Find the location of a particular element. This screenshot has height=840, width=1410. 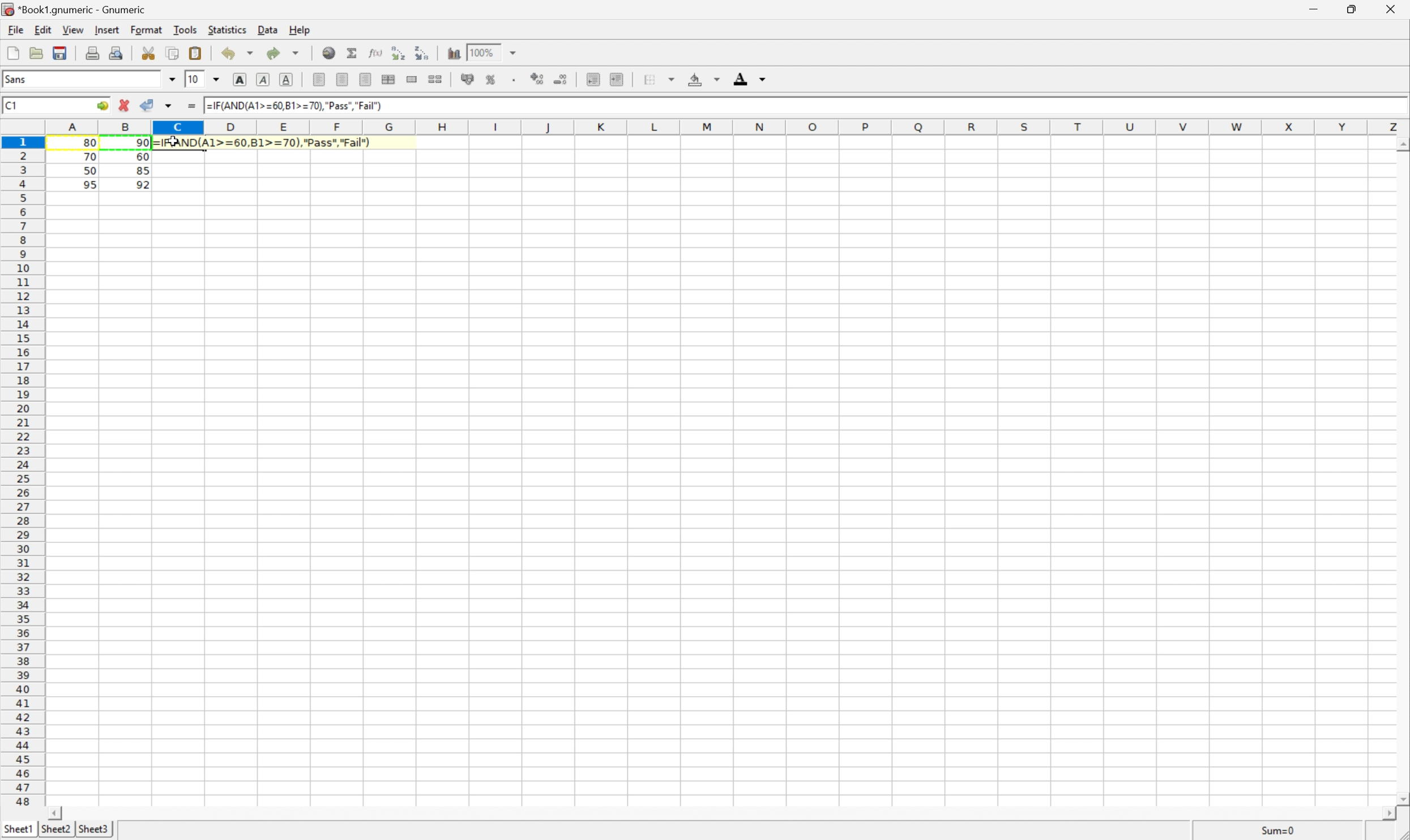

Drop Down is located at coordinates (220, 79).